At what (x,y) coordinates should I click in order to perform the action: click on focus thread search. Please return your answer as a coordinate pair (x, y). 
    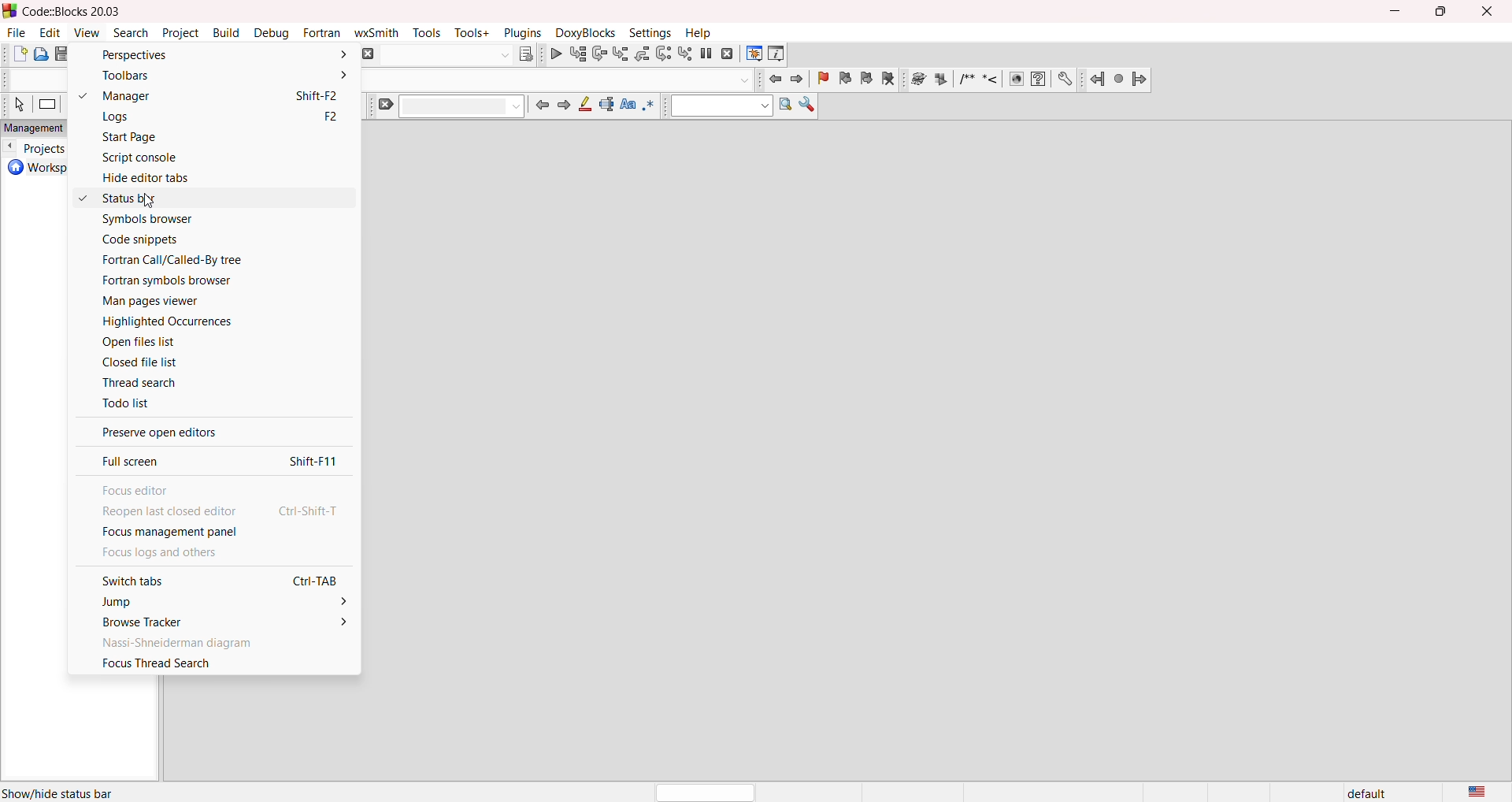
    Looking at the image, I should click on (213, 666).